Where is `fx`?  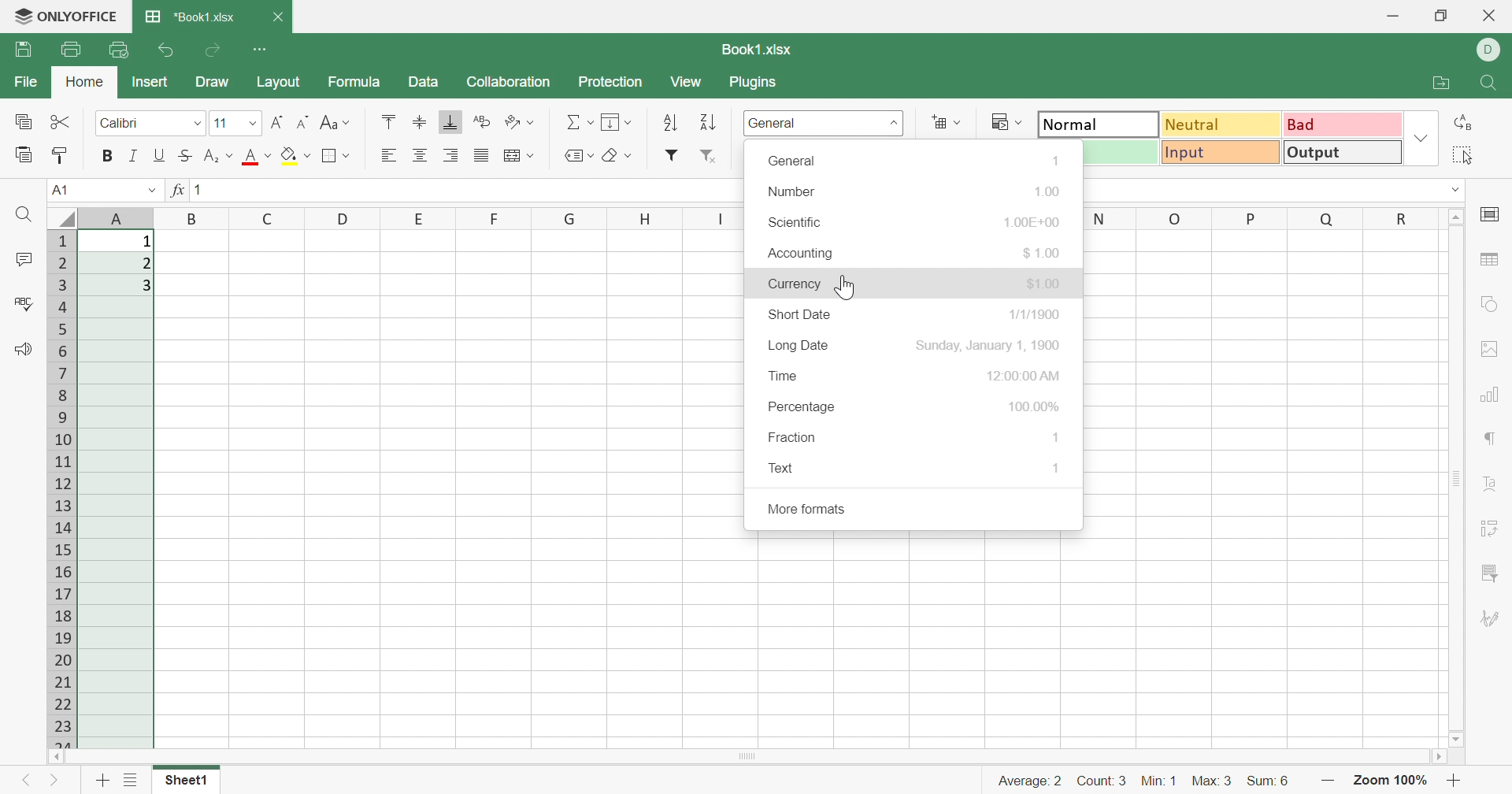 fx is located at coordinates (176, 190).